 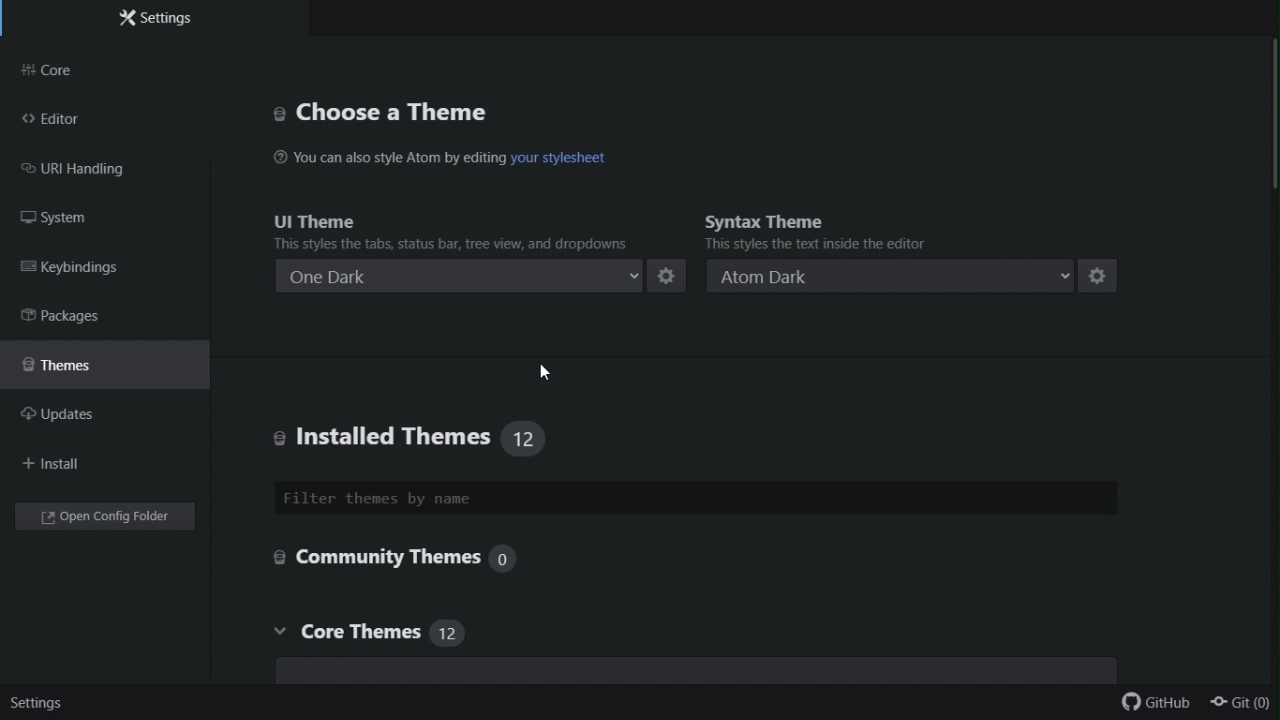 What do you see at coordinates (702, 498) in the screenshot?
I see `Filter themes by name` at bounding box center [702, 498].